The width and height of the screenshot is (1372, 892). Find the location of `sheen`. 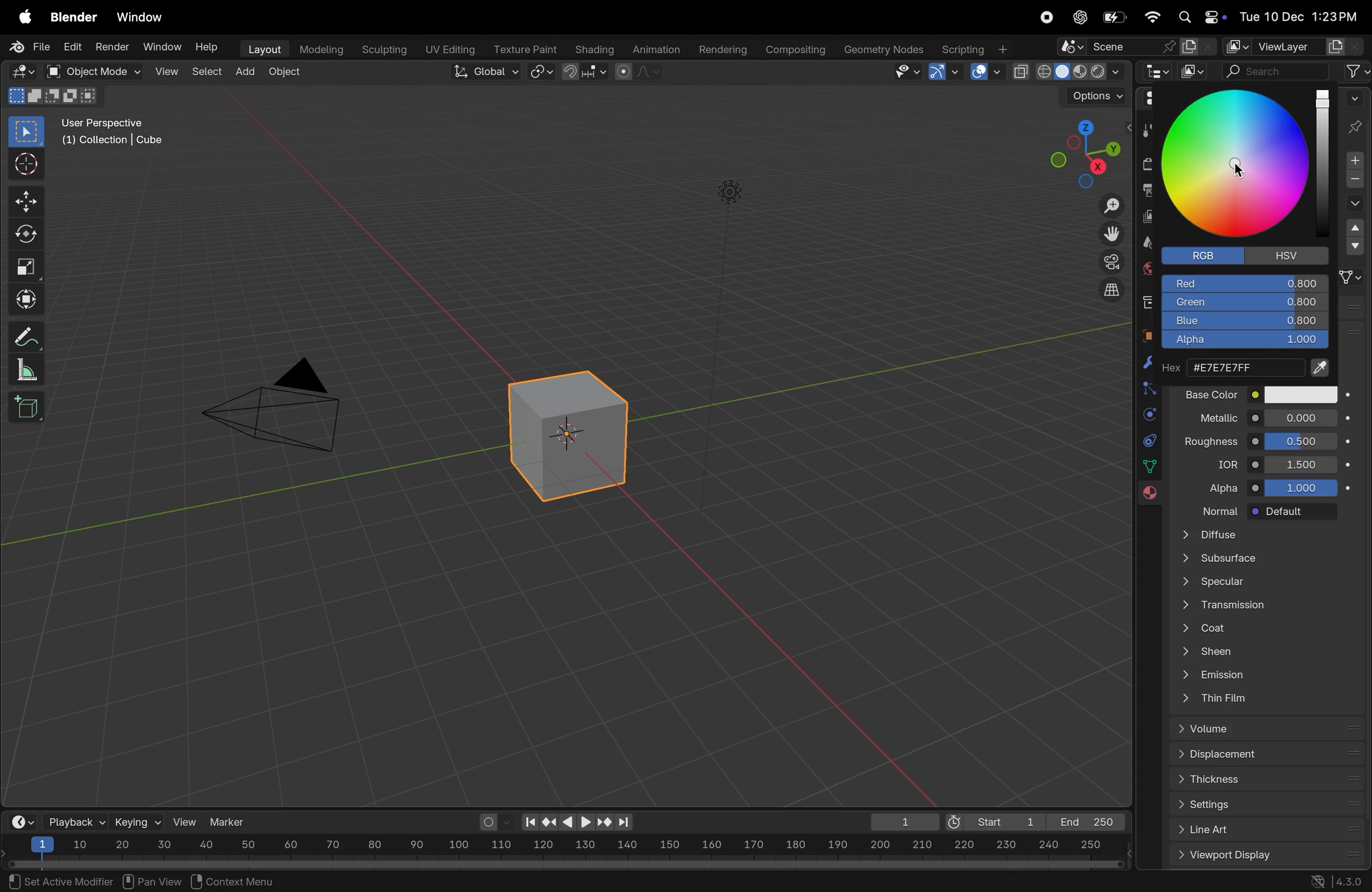

sheen is located at coordinates (1273, 651).